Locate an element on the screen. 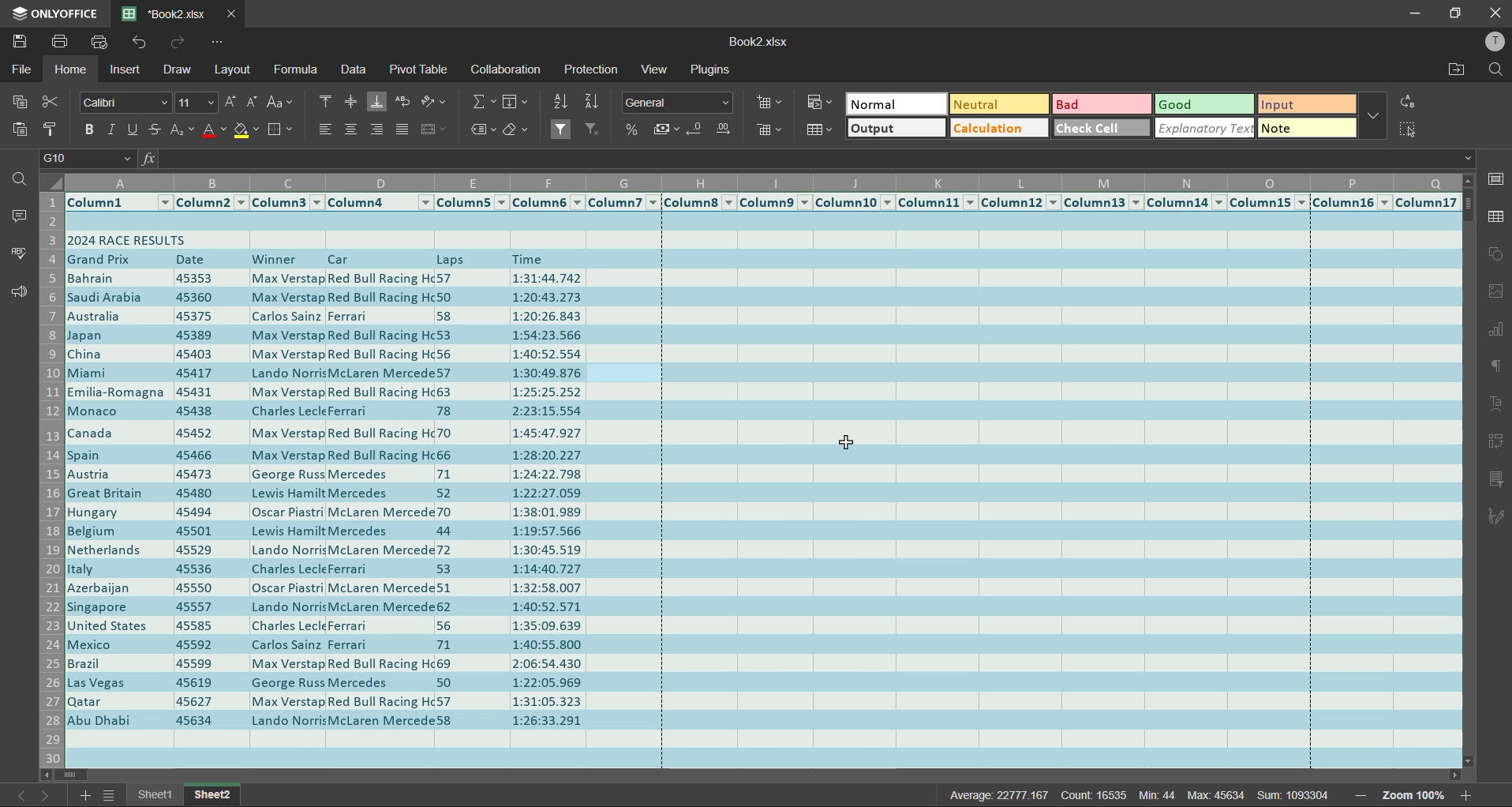  font style is located at coordinates (124, 103).